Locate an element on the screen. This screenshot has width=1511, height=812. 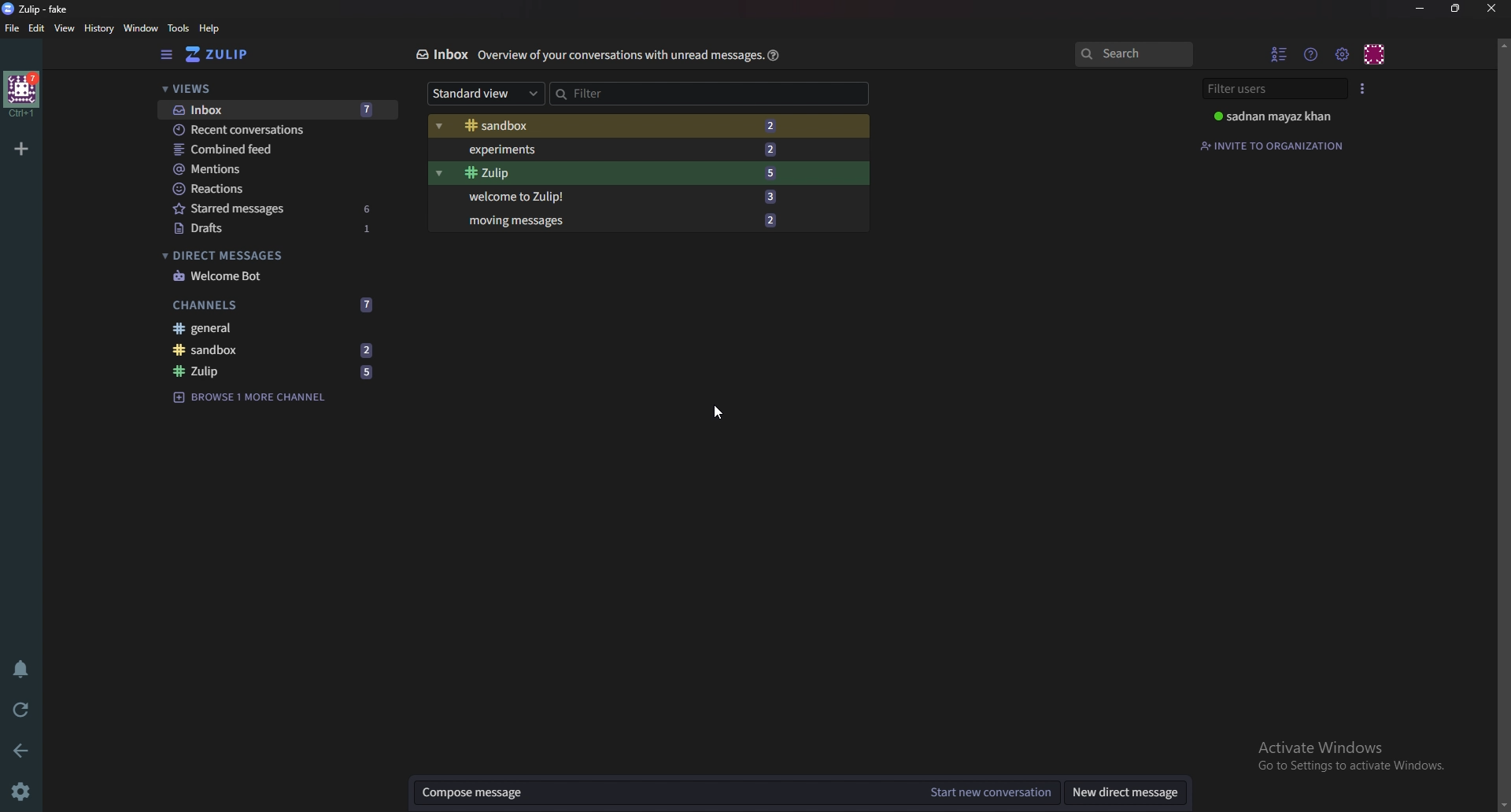
Resize is located at coordinates (1454, 8).